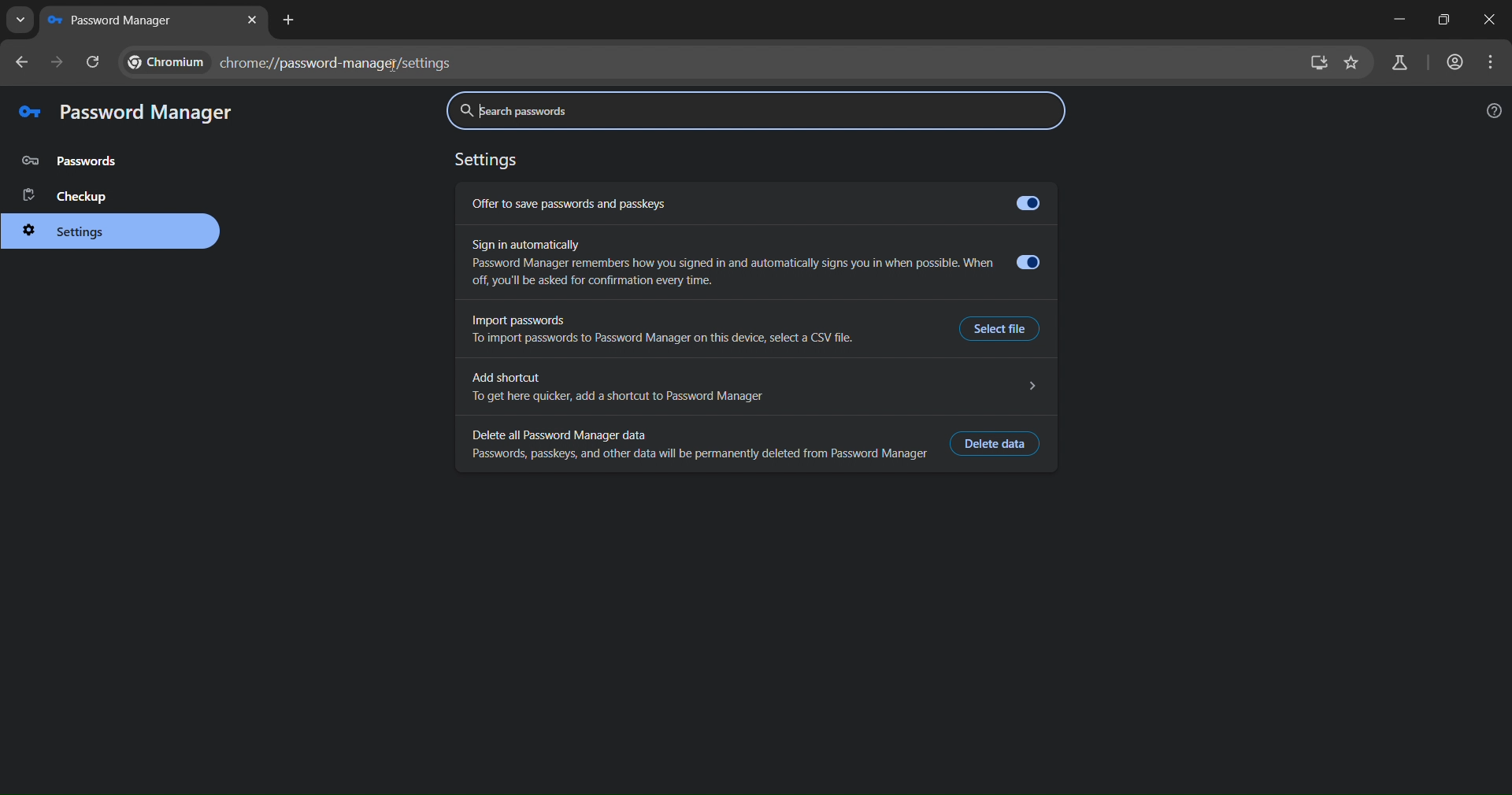 This screenshot has width=1512, height=795. What do you see at coordinates (1456, 62) in the screenshot?
I see `accounts` at bounding box center [1456, 62].